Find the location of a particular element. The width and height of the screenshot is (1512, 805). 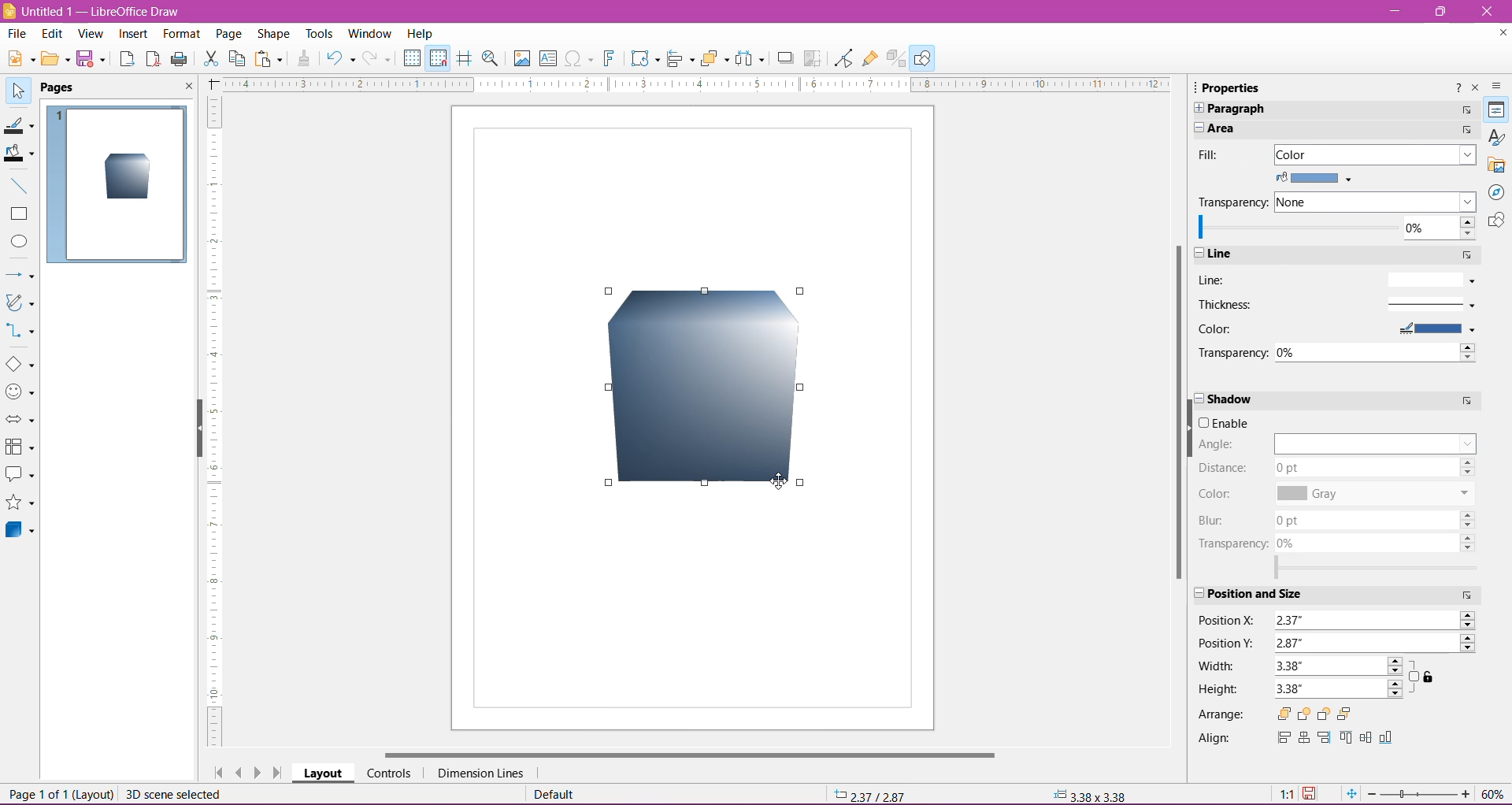

Scroll to previous page is located at coordinates (239, 772).